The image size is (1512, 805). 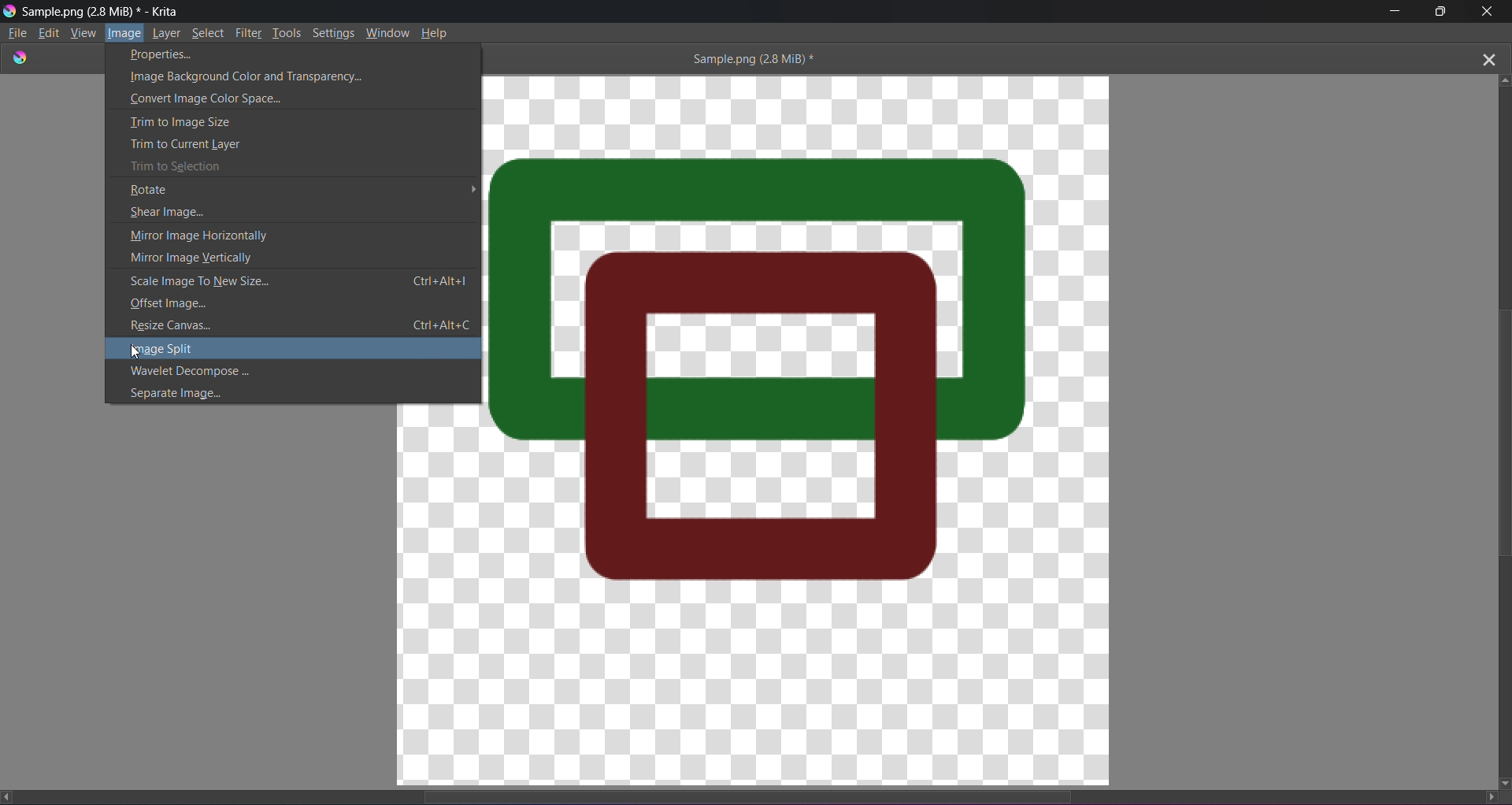 I want to click on Scroll left, so click(x=10, y=796).